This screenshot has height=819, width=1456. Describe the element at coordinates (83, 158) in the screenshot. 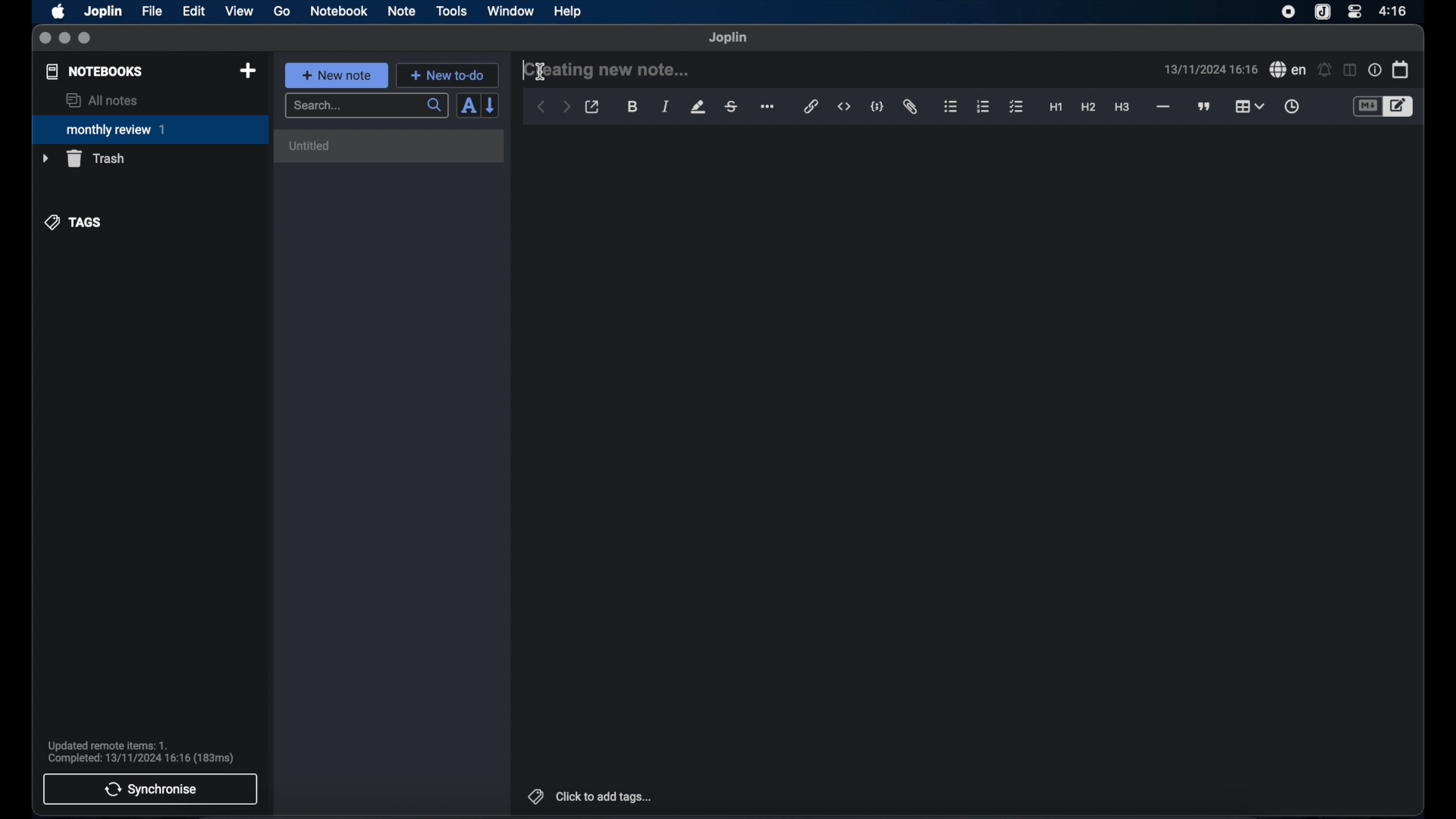

I see `trash` at that location.